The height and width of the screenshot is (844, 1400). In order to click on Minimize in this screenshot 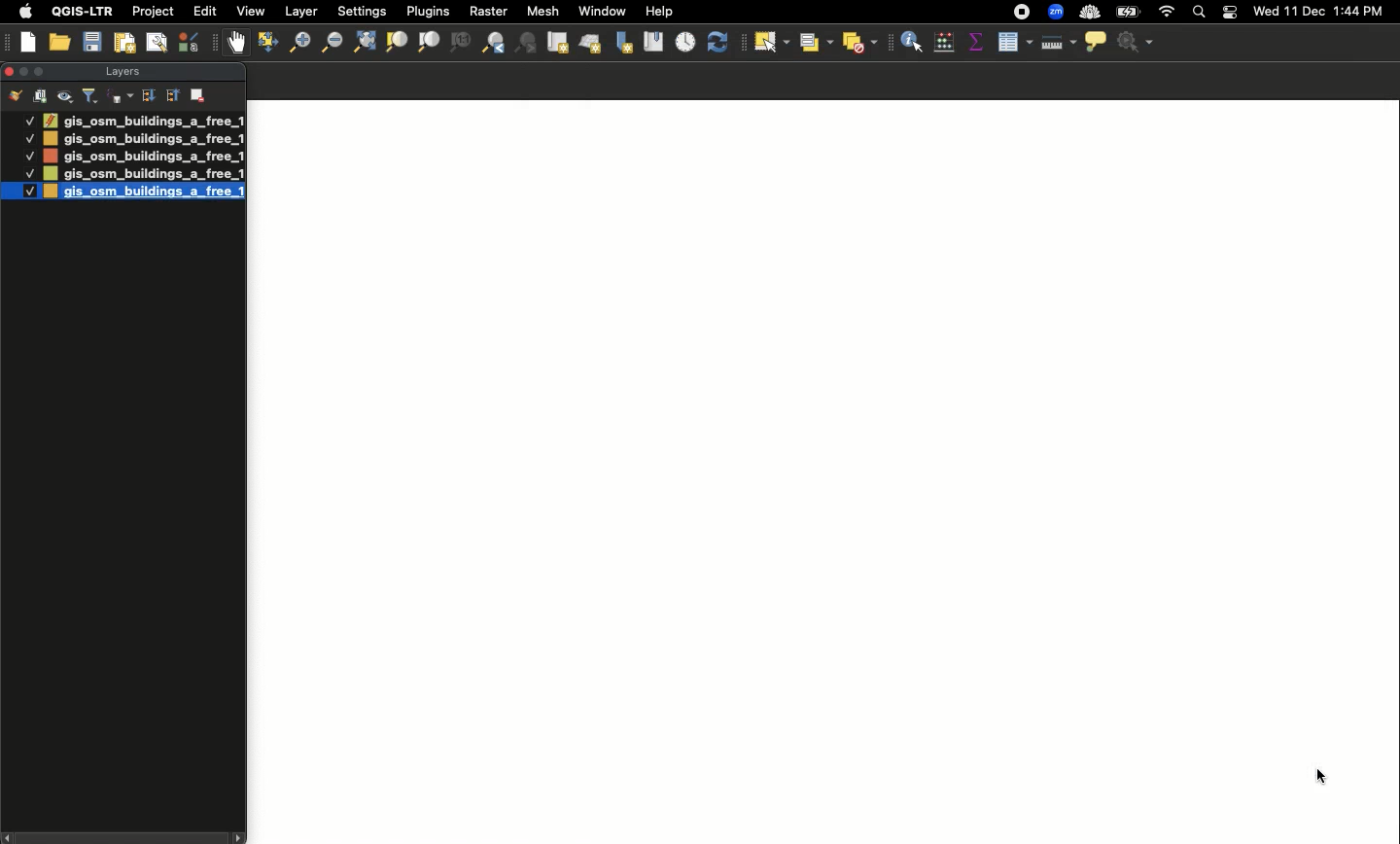, I will do `click(22, 70)`.